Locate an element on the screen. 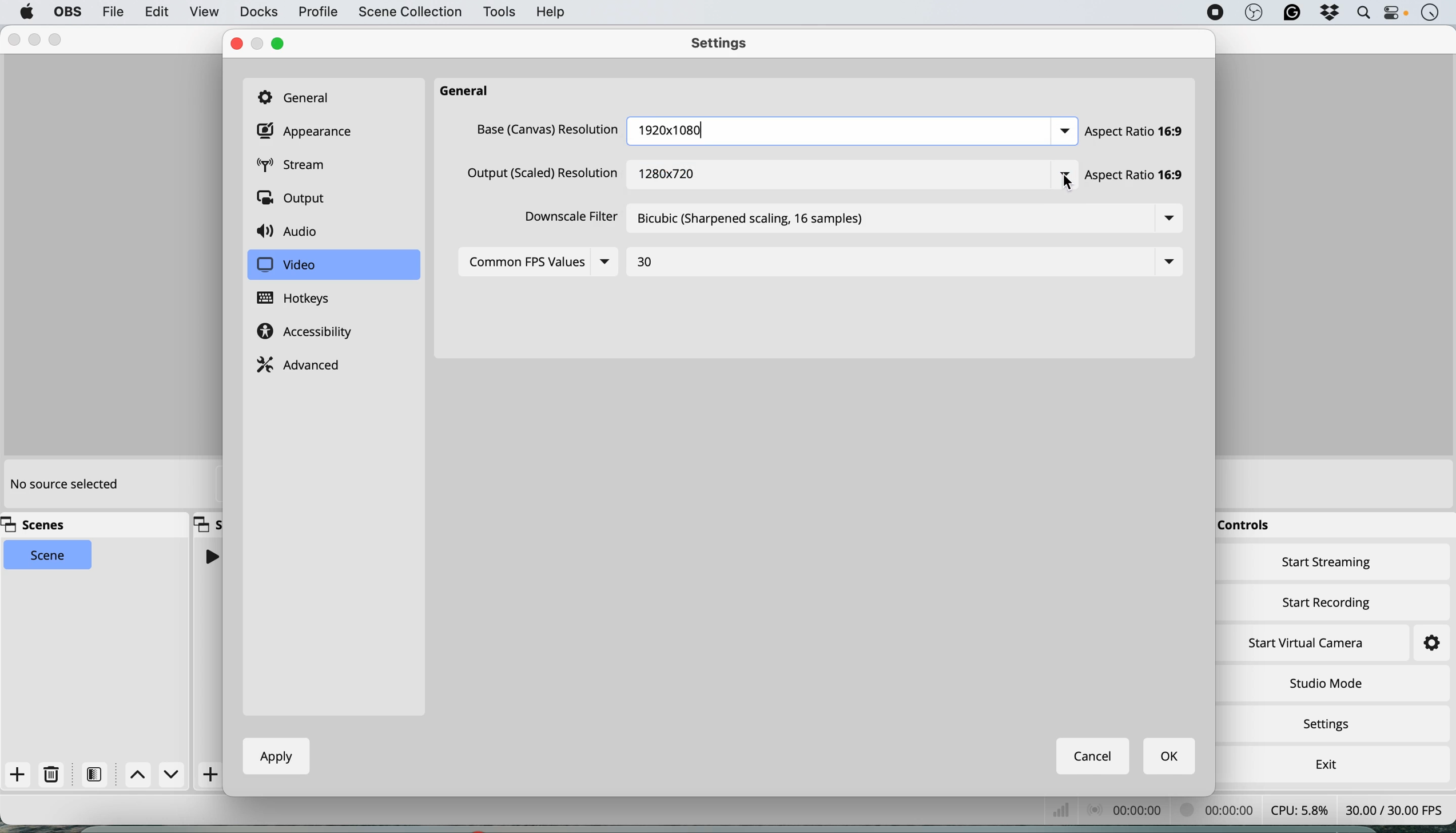  Add Scene  is located at coordinates (212, 775).